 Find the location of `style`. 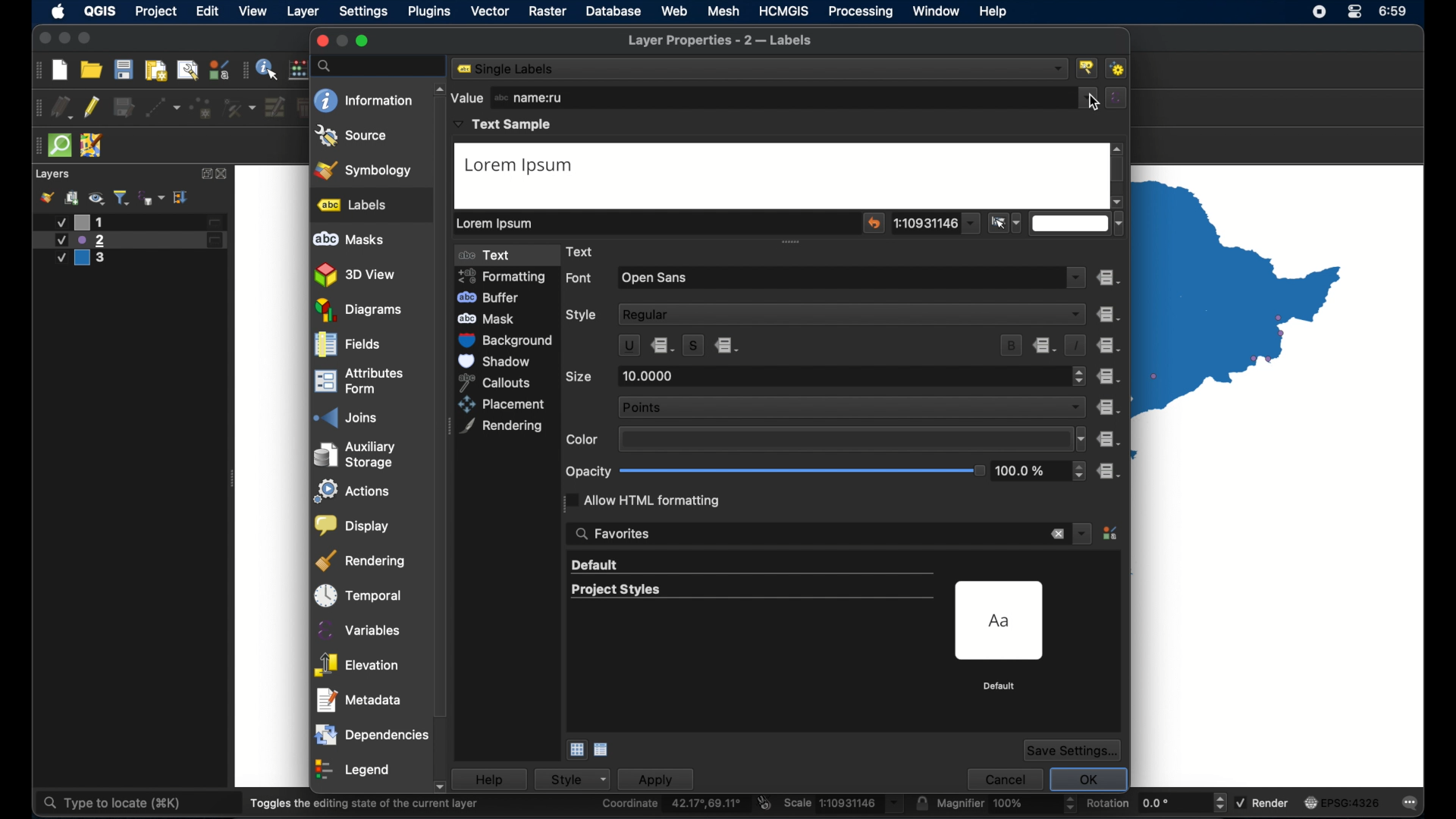

style is located at coordinates (583, 316).